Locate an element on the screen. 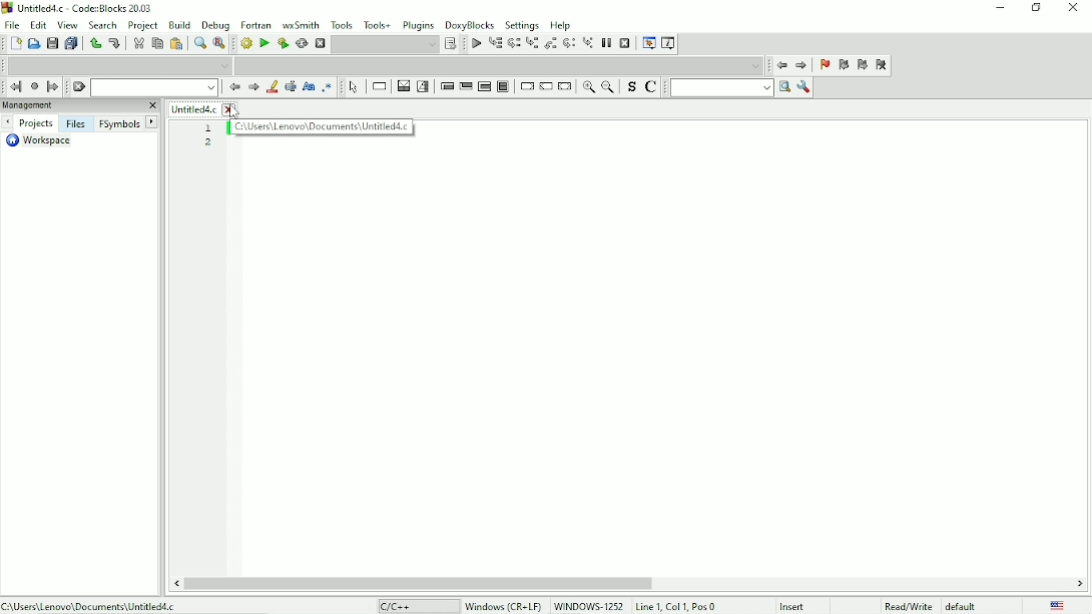 This screenshot has height=614, width=1092. Last jump is located at coordinates (34, 86).